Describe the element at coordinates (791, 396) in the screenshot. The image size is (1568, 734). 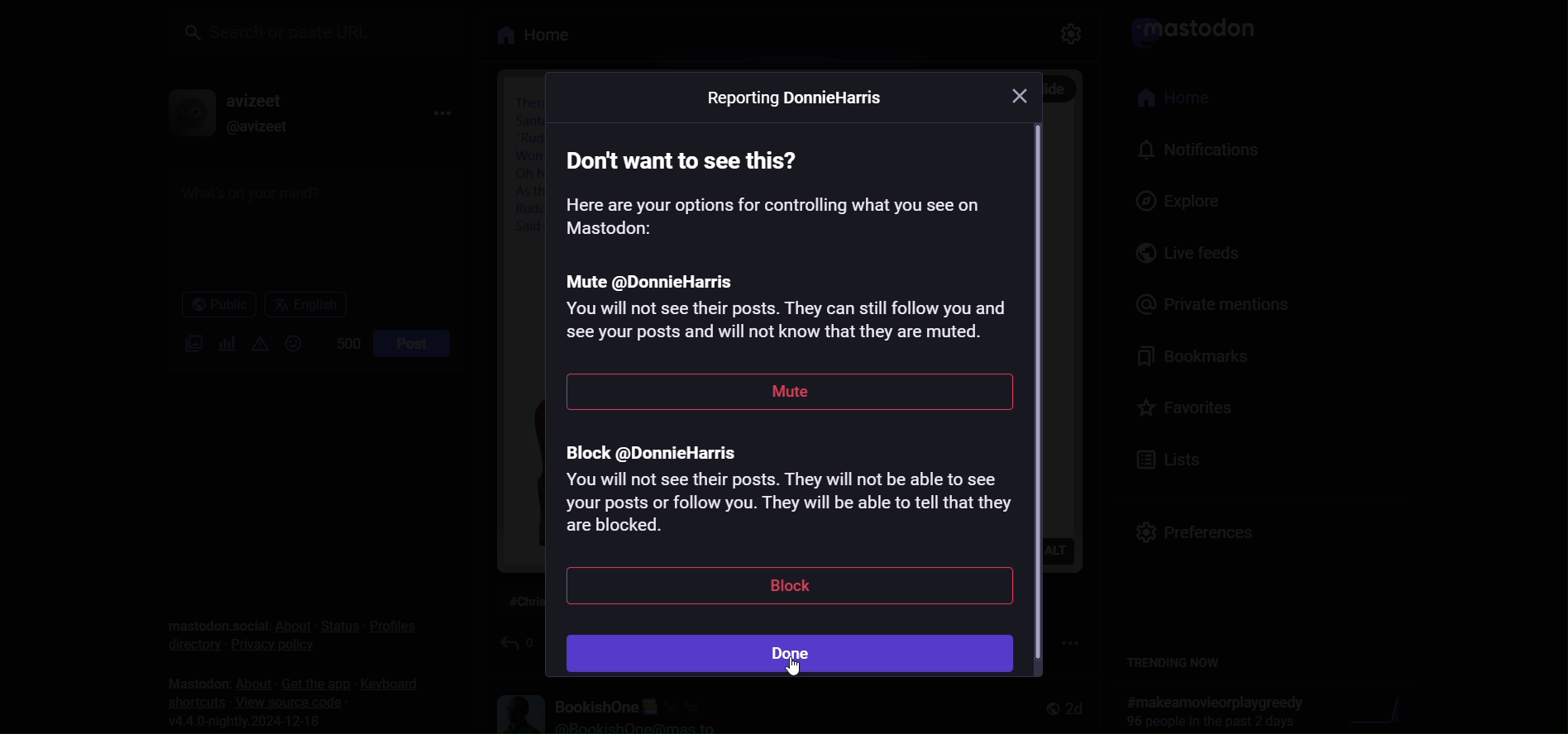
I see `mute` at that location.